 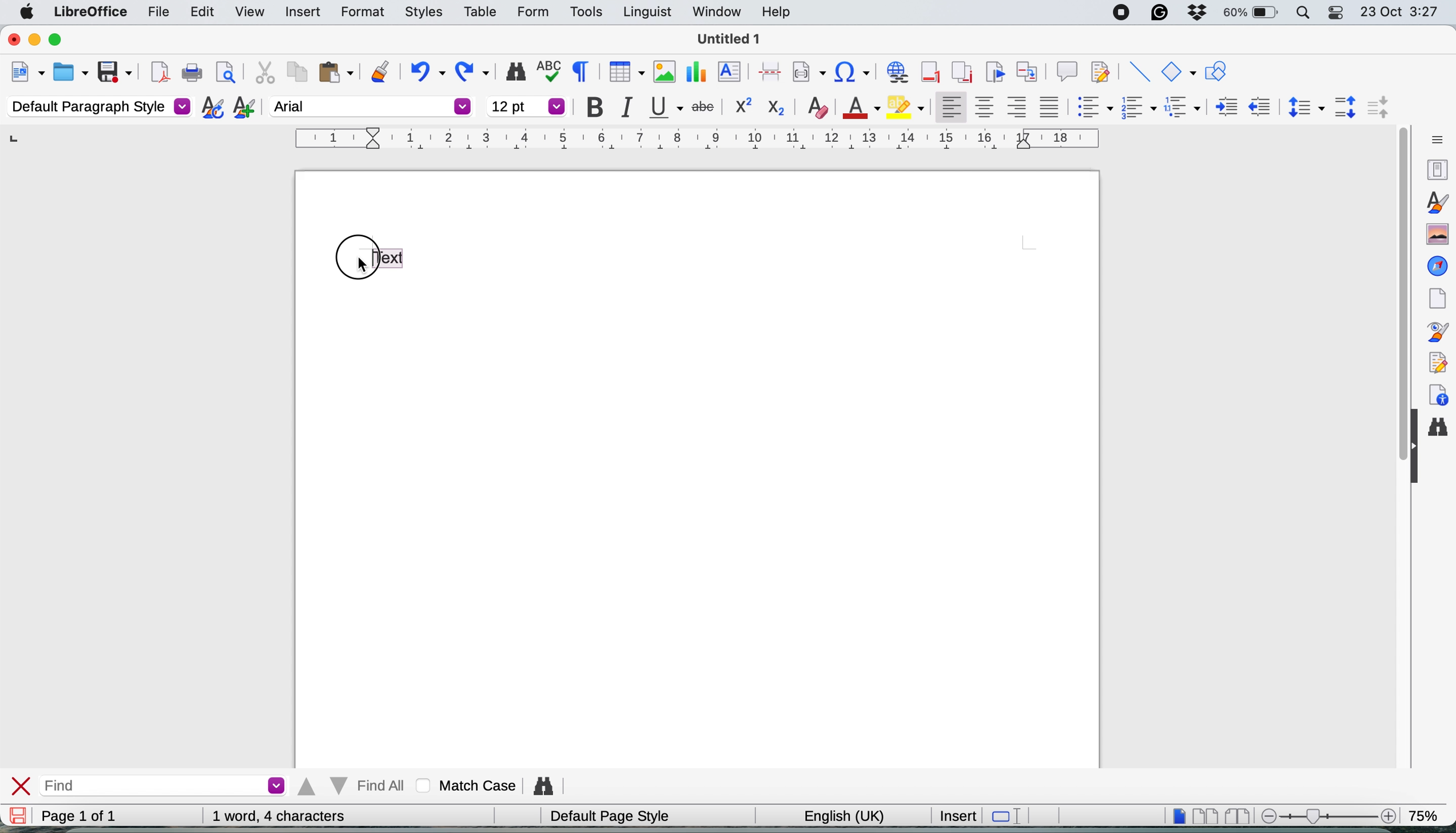 I want to click on insert cross reference, so click(x=1029, y=73).